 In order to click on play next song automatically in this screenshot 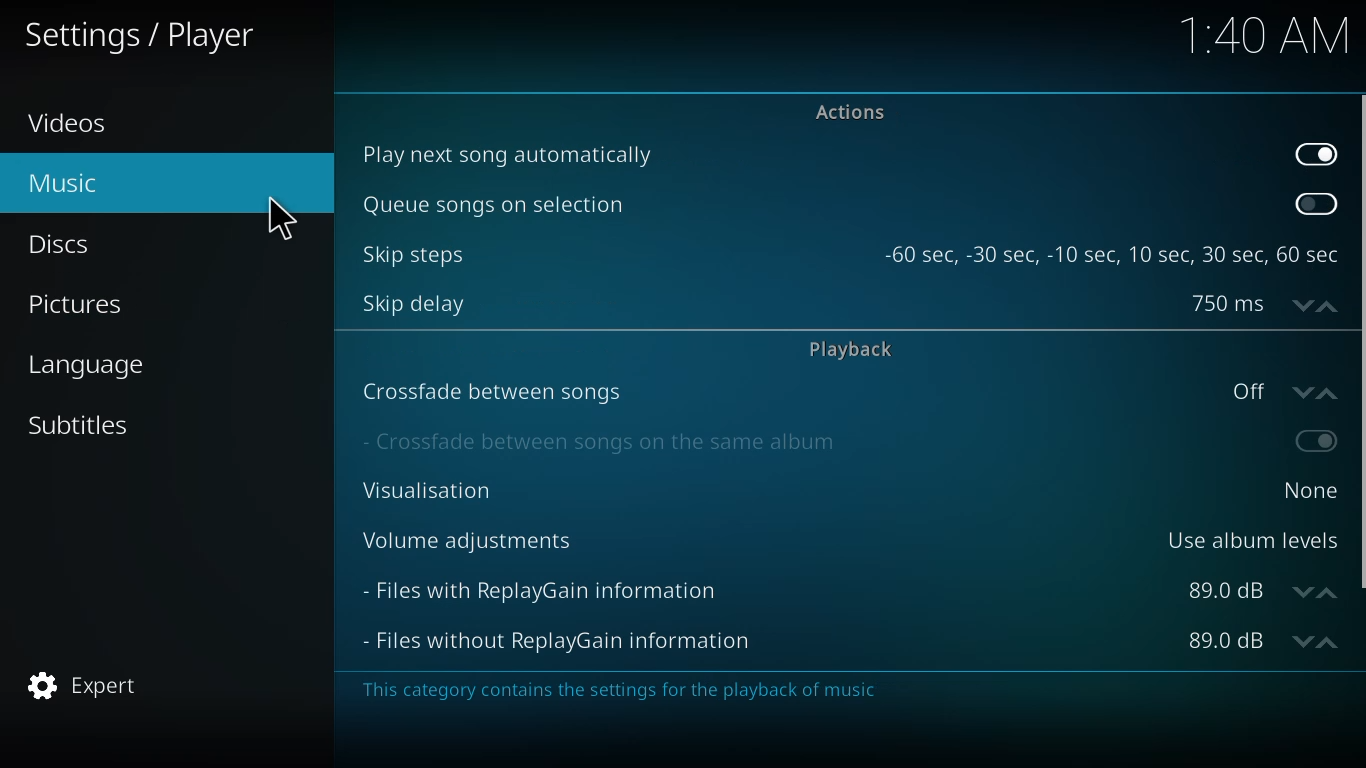, I will do `click(516, 153)`.